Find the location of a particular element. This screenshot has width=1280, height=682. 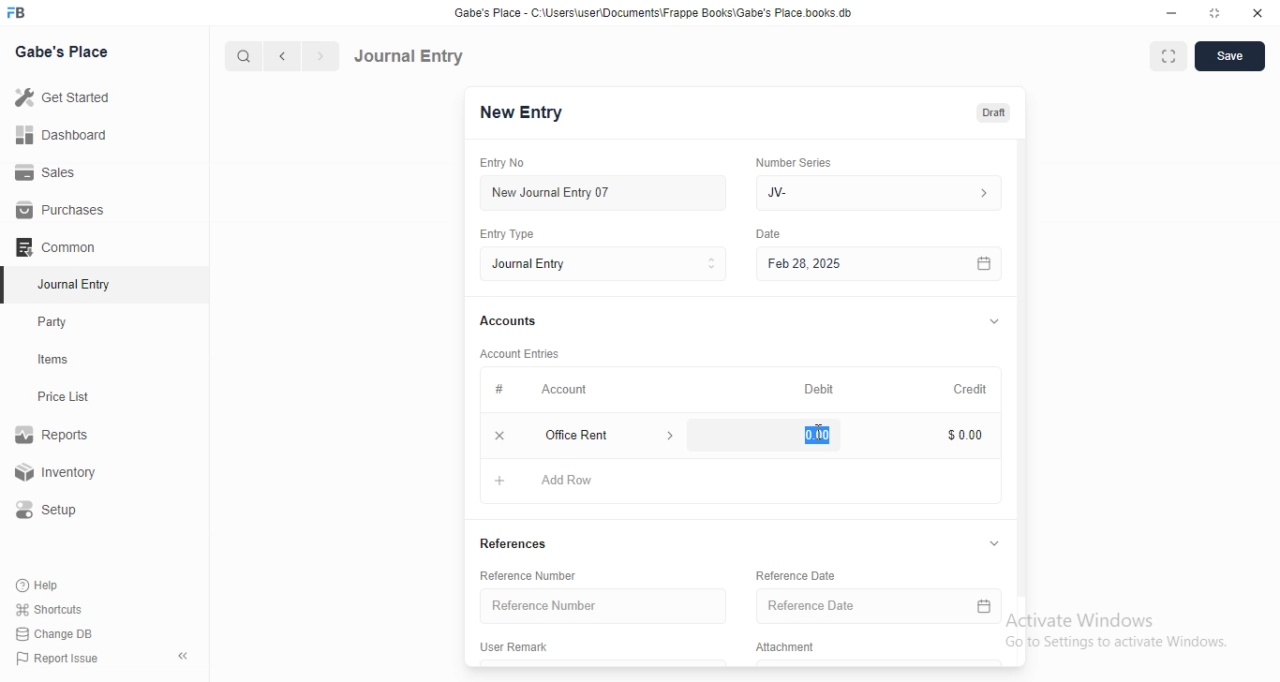

Debit is located at coordinates (815, 387).